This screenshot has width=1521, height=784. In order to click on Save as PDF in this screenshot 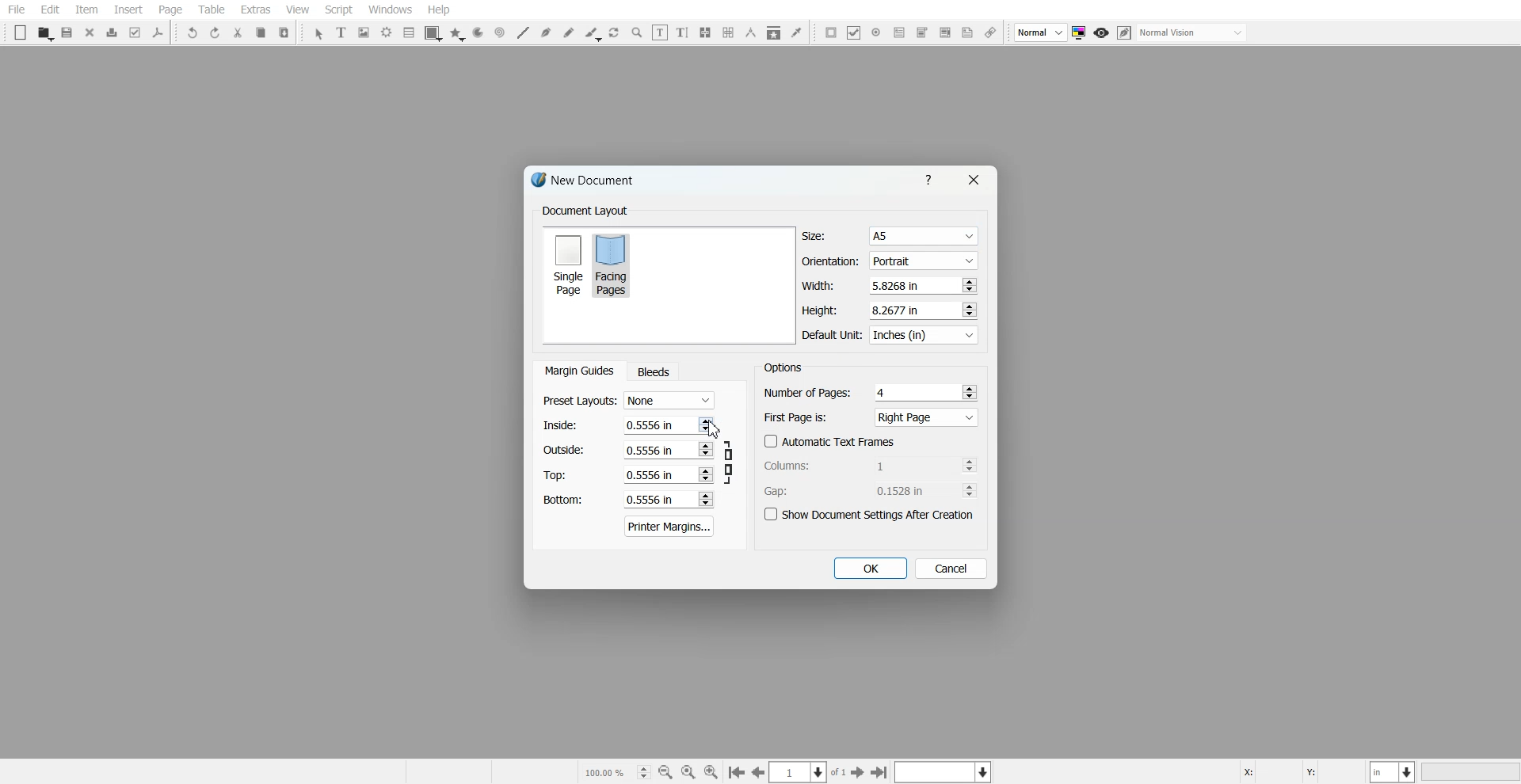, I will do `click(158, 32)`.